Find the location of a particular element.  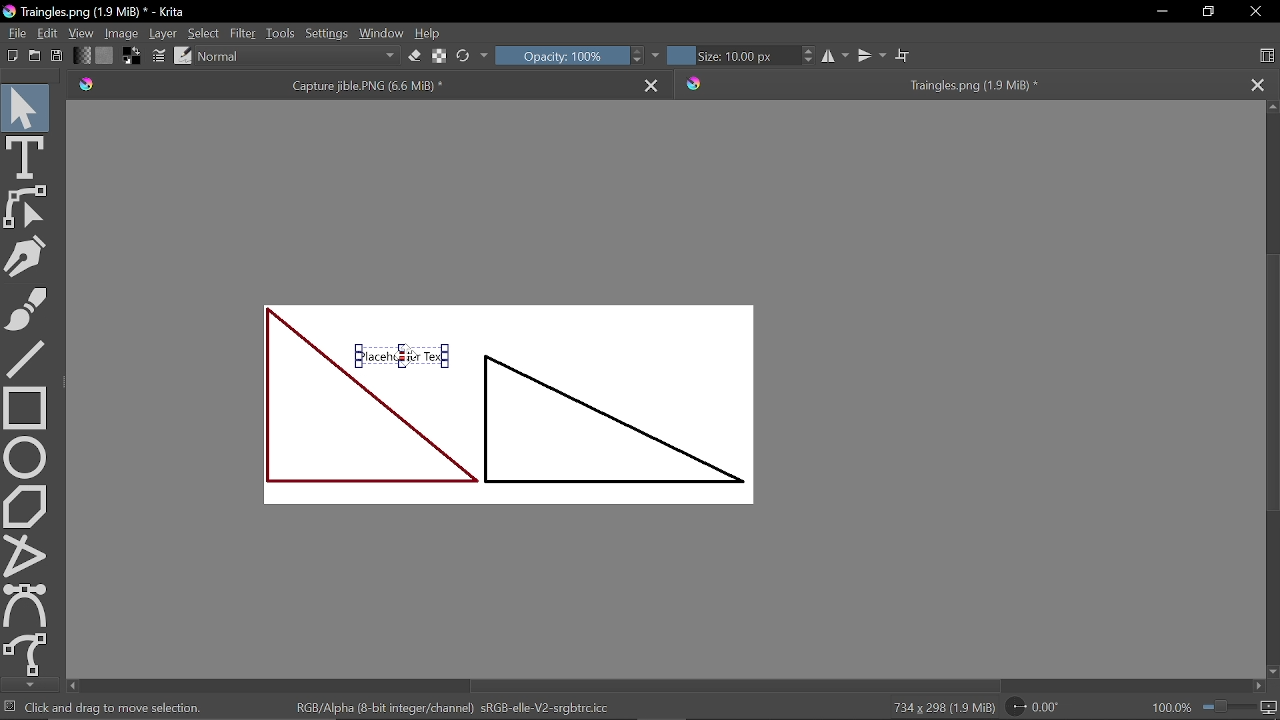

Minimize is located at coordinates (1164, 11).